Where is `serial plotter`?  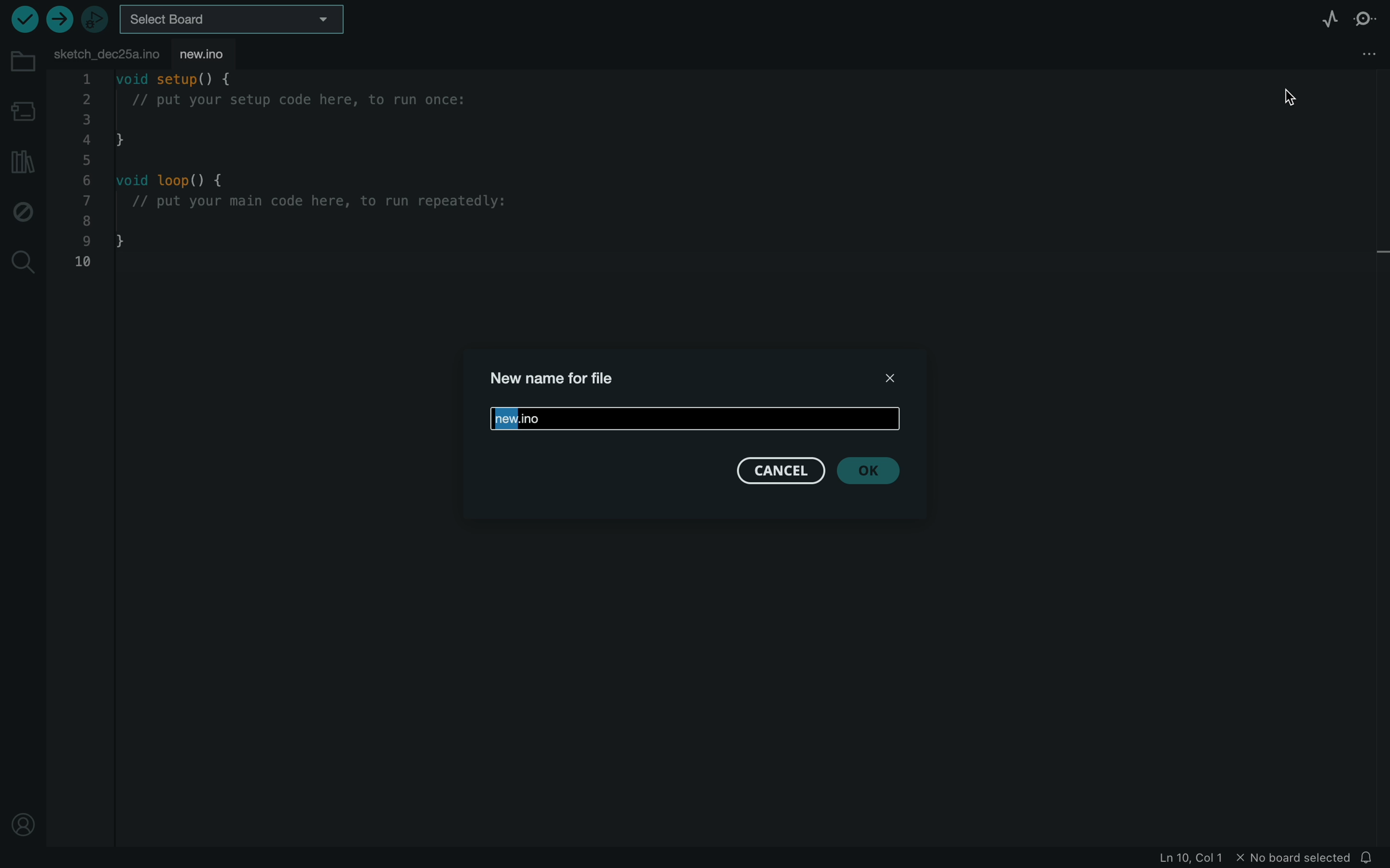
serial plotter is located at coordinates (1321, 20).